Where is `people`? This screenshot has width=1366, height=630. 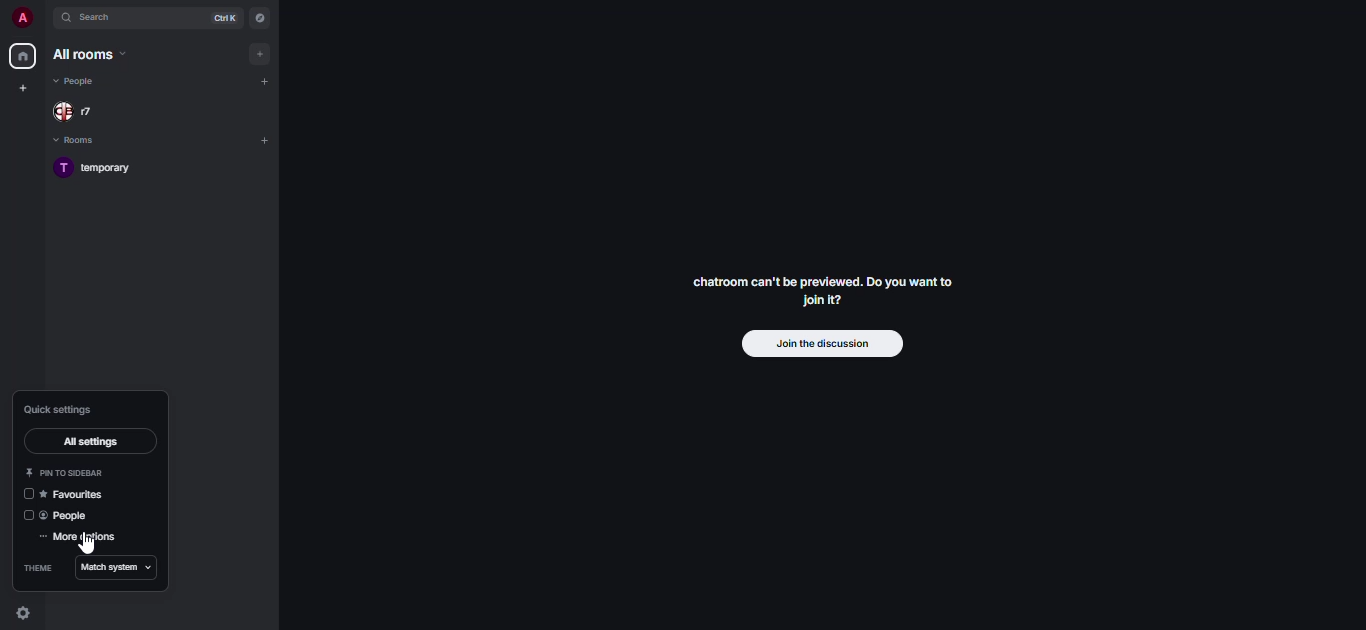
people is located at coordinates (80, 112).